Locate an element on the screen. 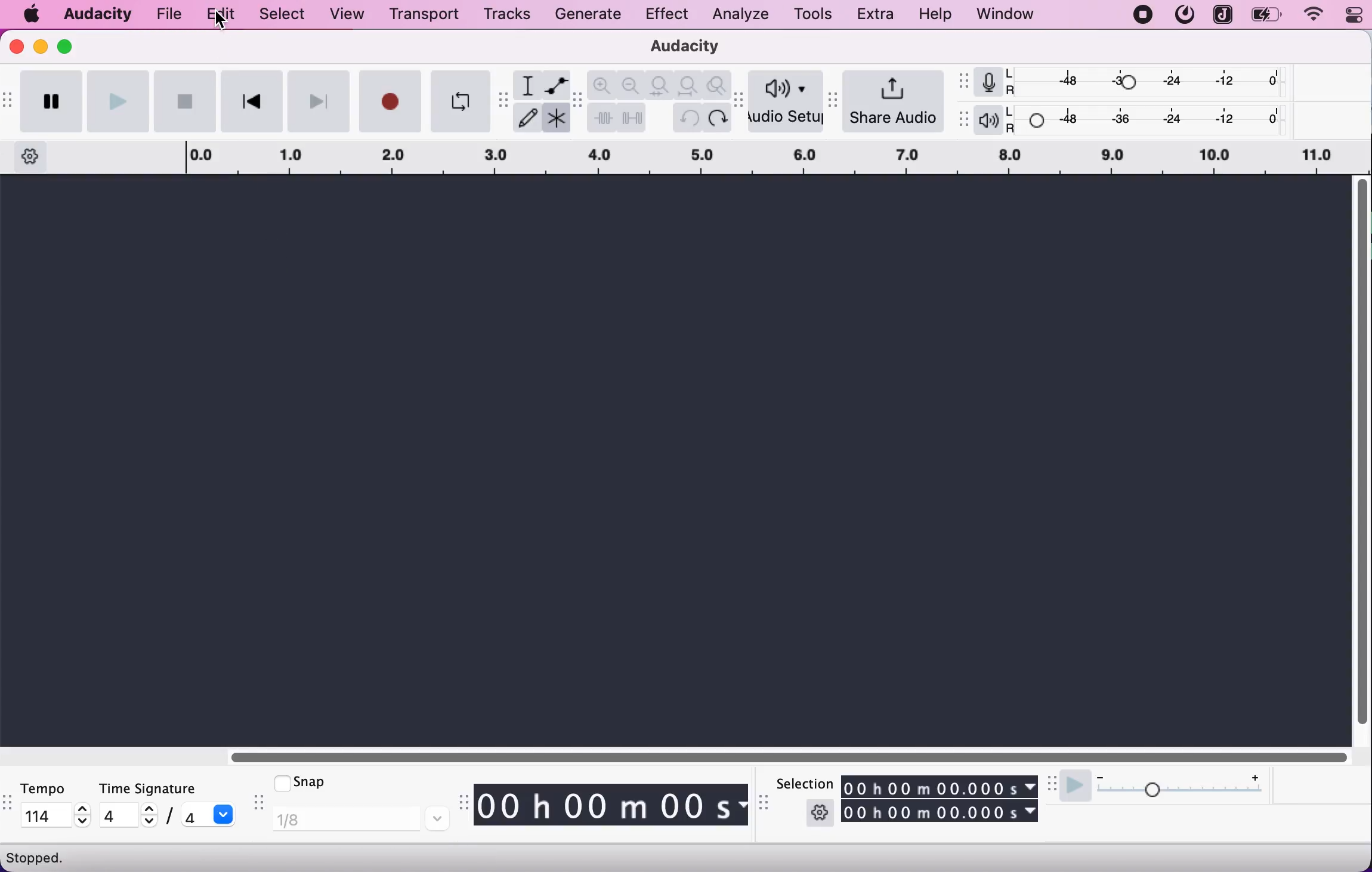  playback speed is located at coordinates (1180, 793).